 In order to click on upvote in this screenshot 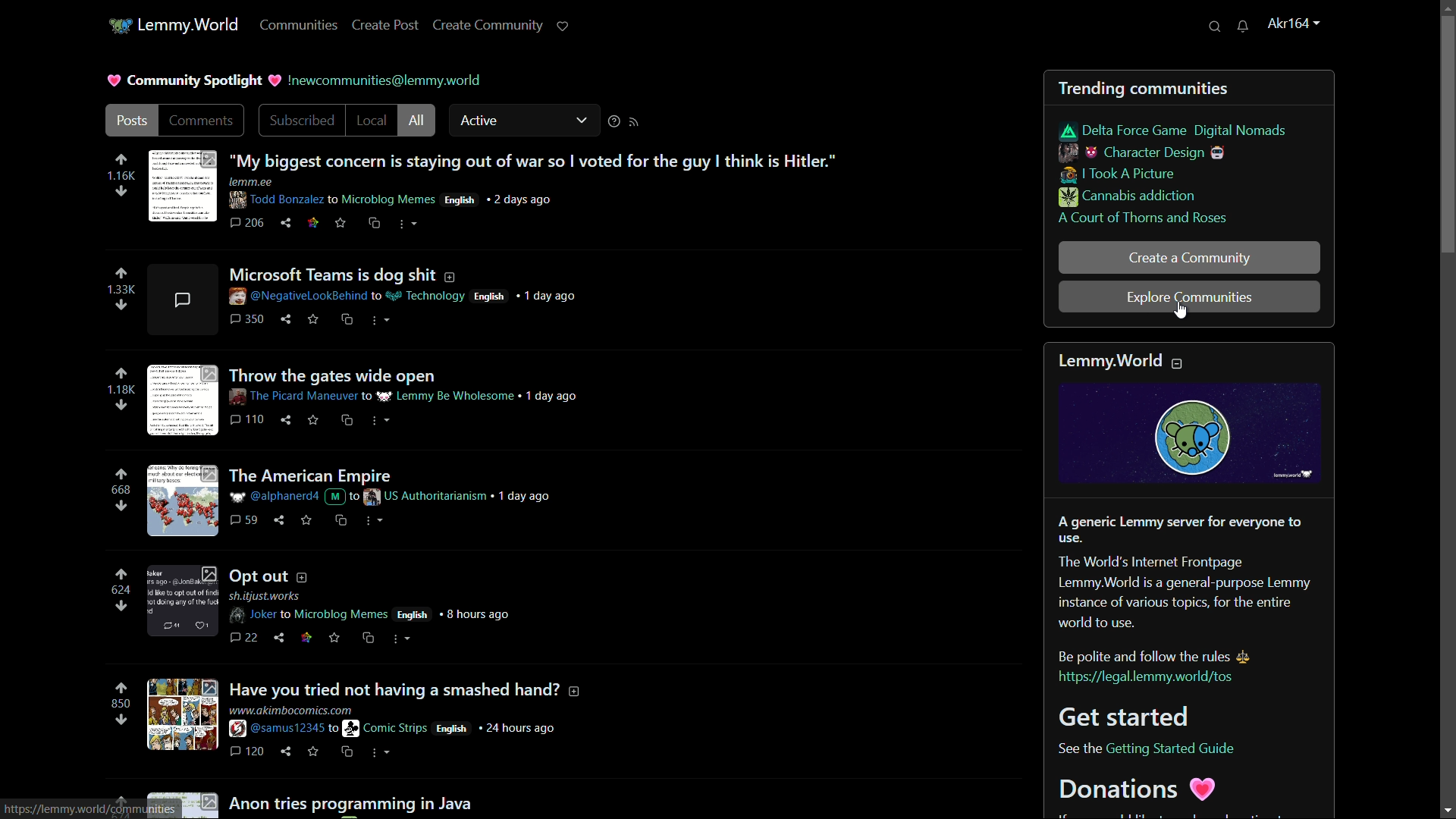, I will do `click(121, 161)`.